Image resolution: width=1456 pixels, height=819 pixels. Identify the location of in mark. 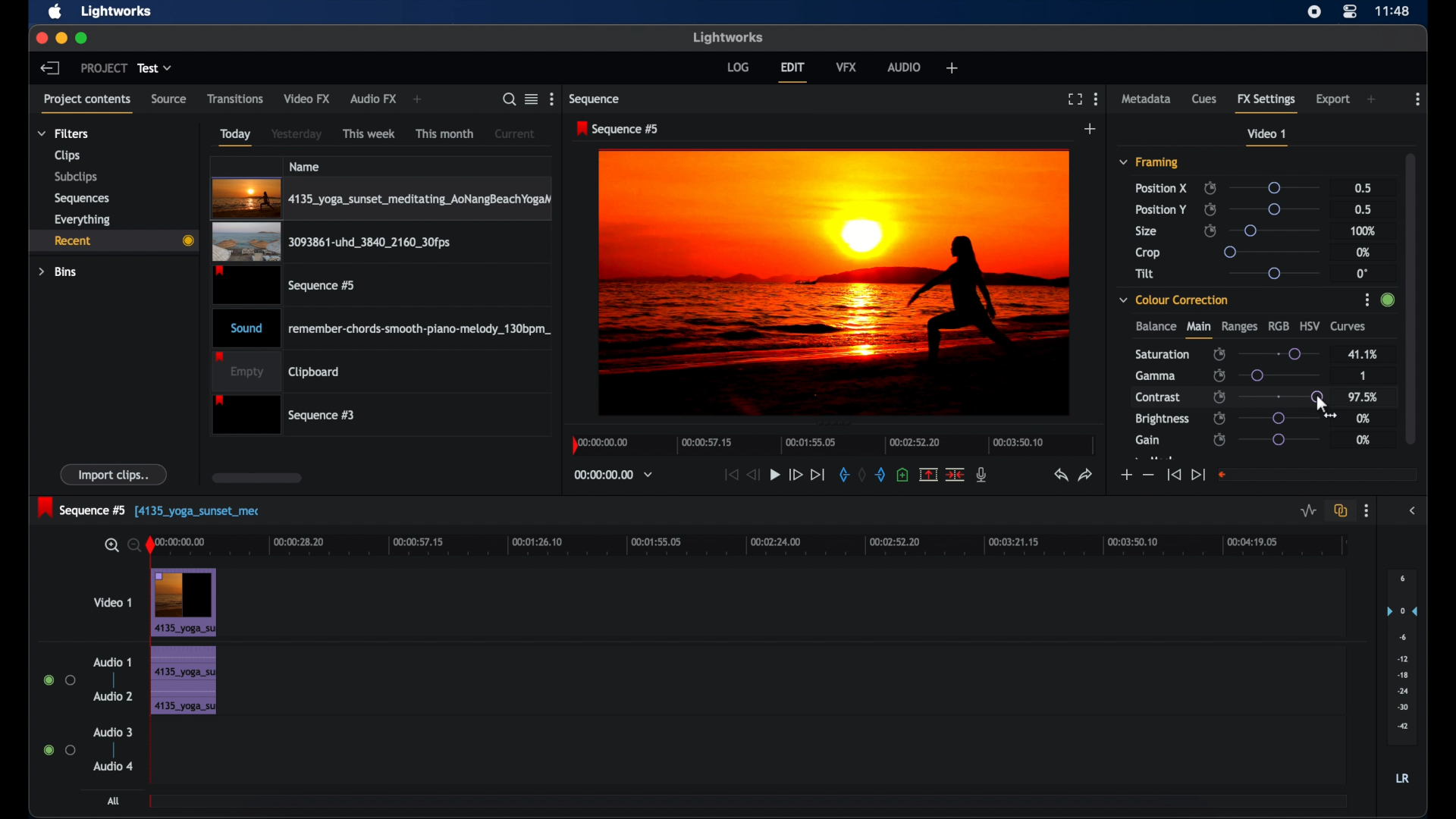
(843, 474).